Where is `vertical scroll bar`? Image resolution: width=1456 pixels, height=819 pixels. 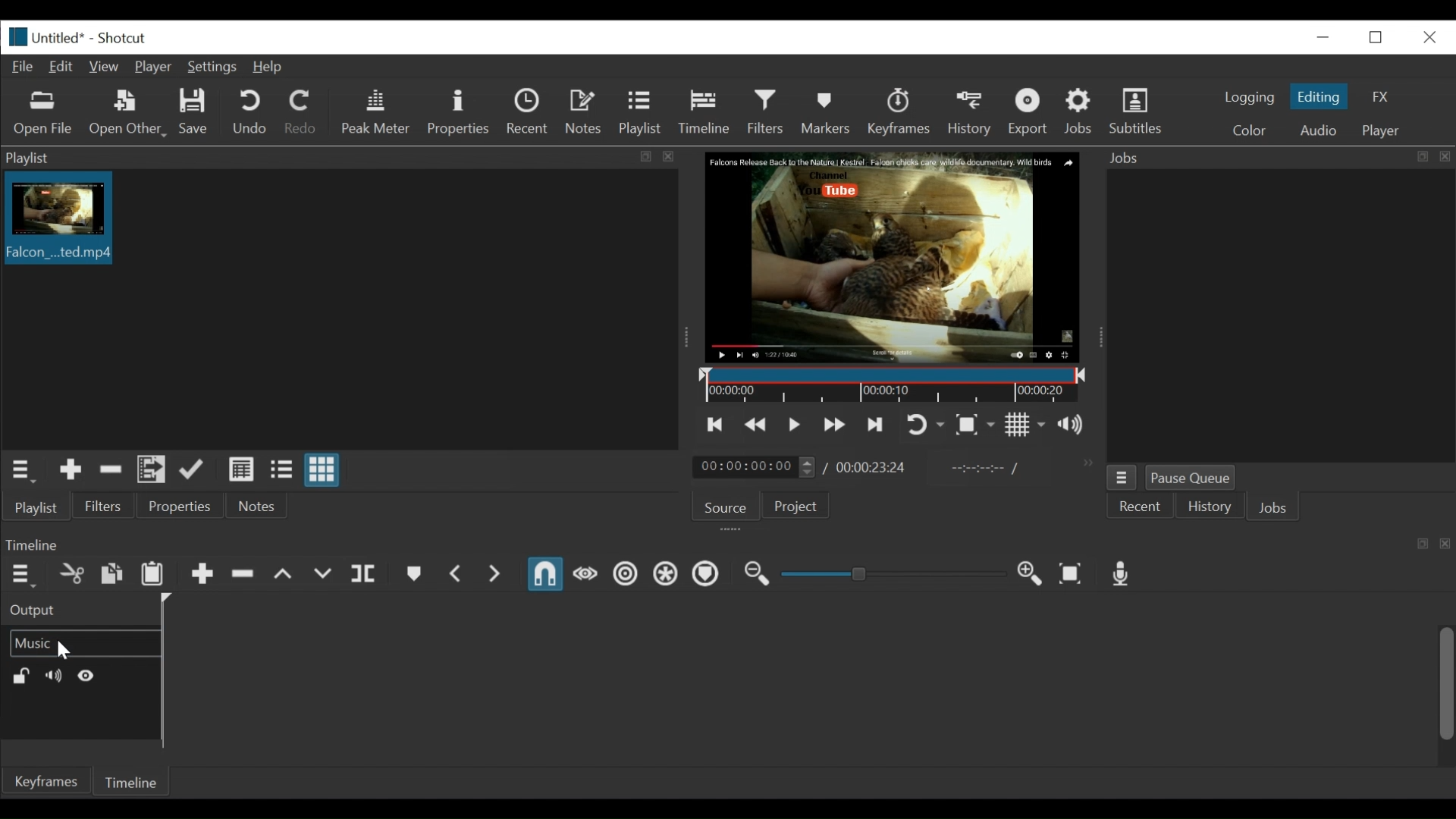
vertical scroll bar is located at coordinates (1442, 692).